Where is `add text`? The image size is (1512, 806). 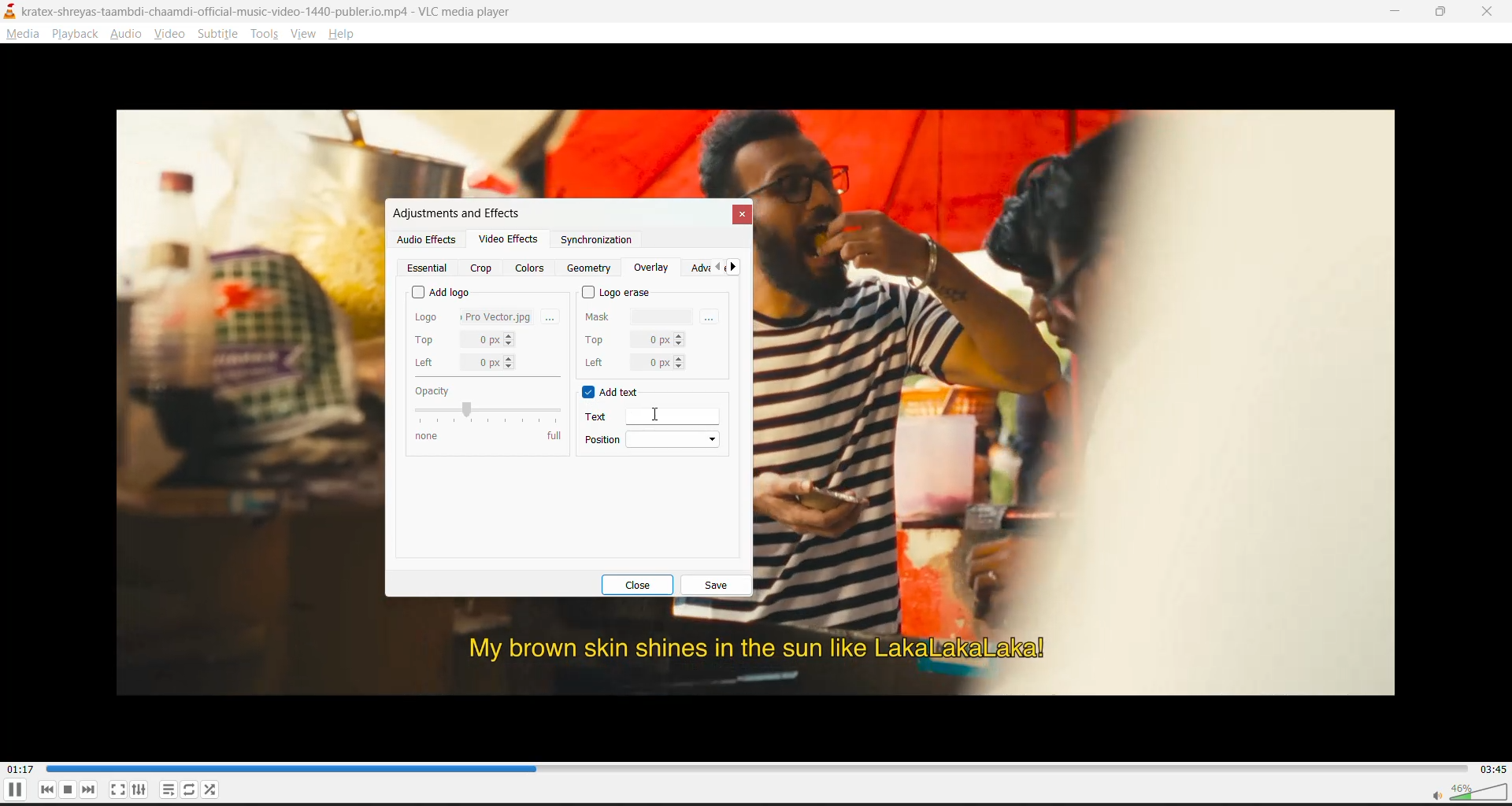
add text is located at coordinates (613, 394).